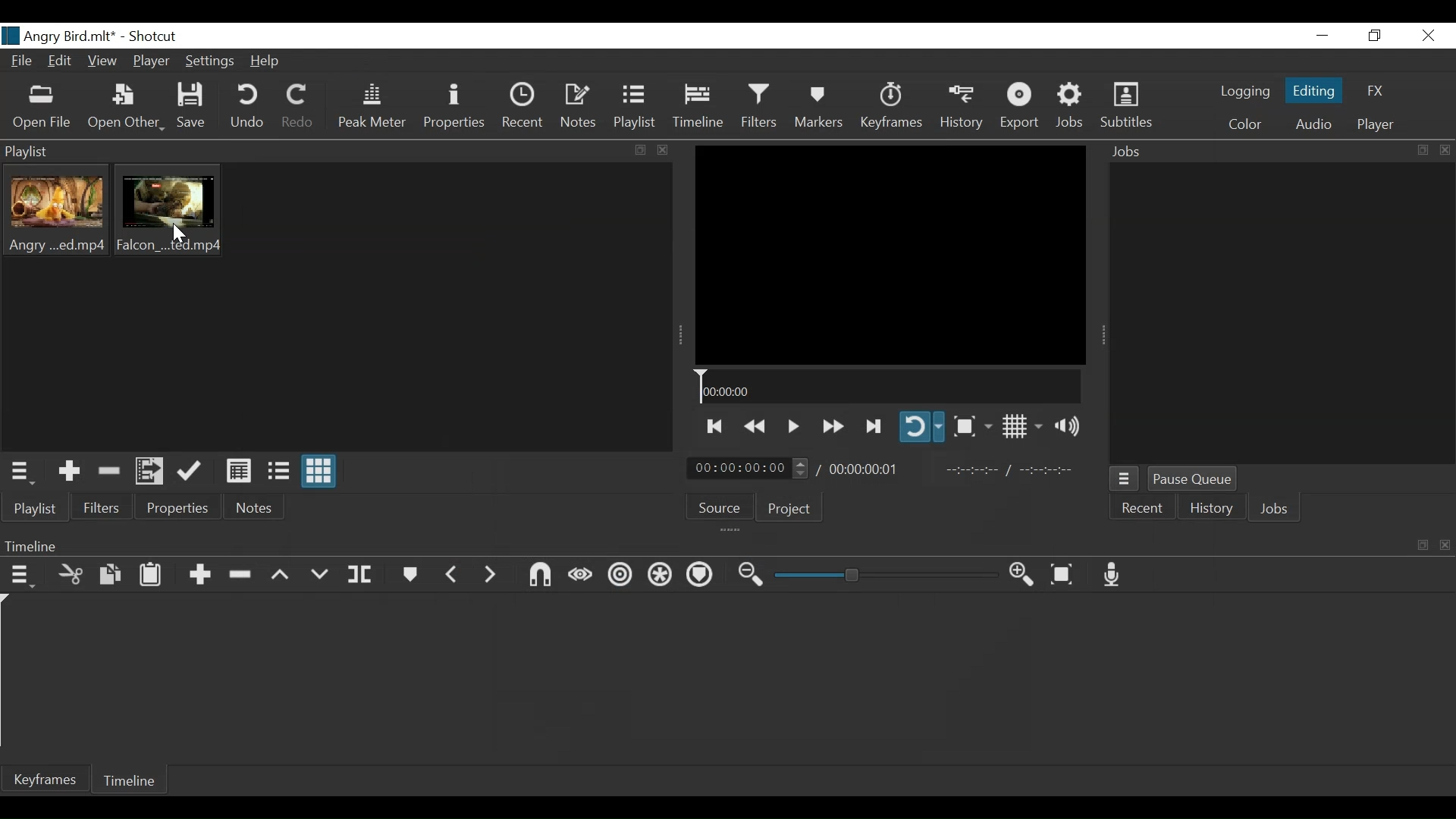 Image resolution: width=1456 pixels, height=819 pixels. I want to click on Export, so click(1020, 107).